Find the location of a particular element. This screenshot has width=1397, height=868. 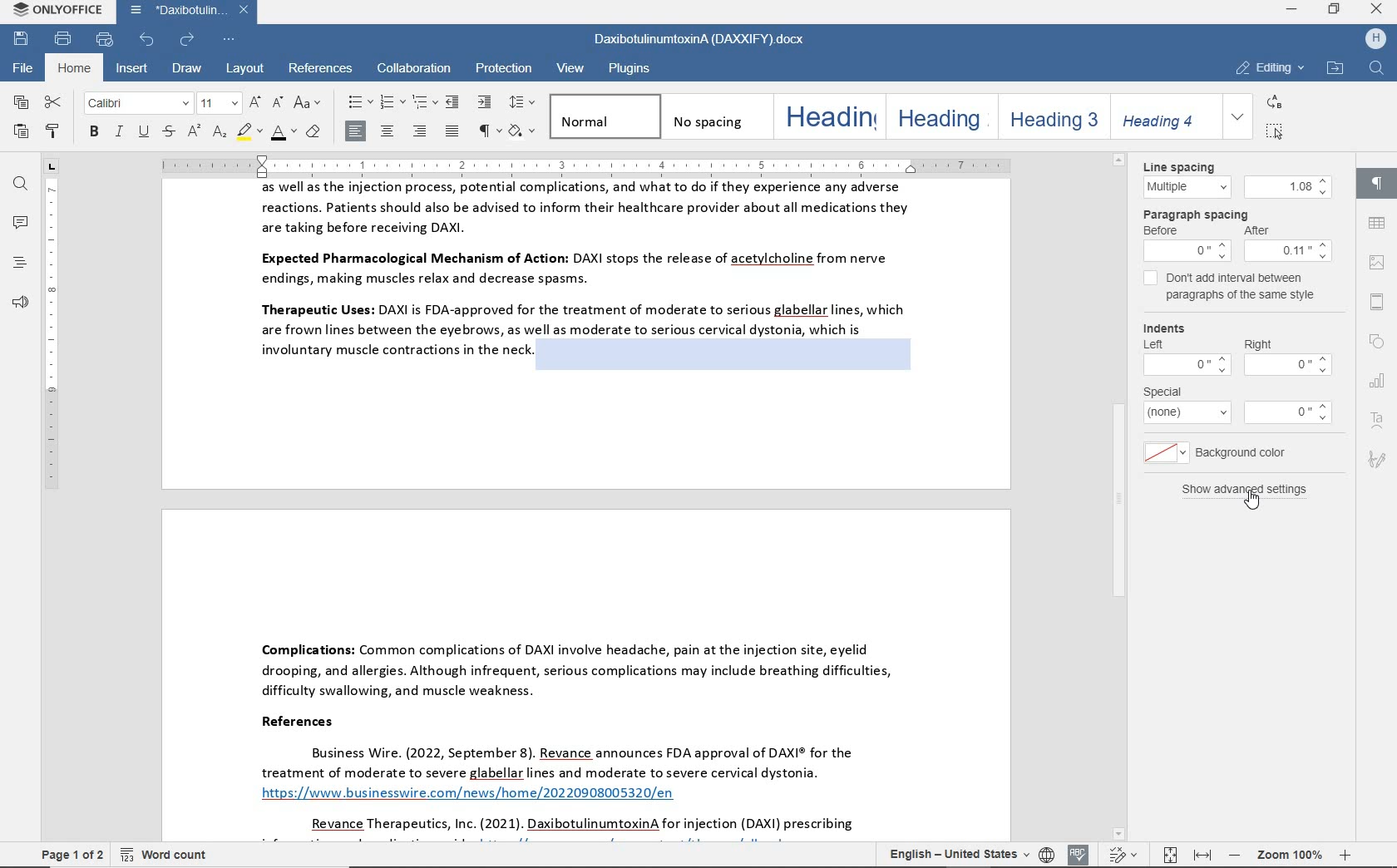

shading is located at coordinates (524, 132).